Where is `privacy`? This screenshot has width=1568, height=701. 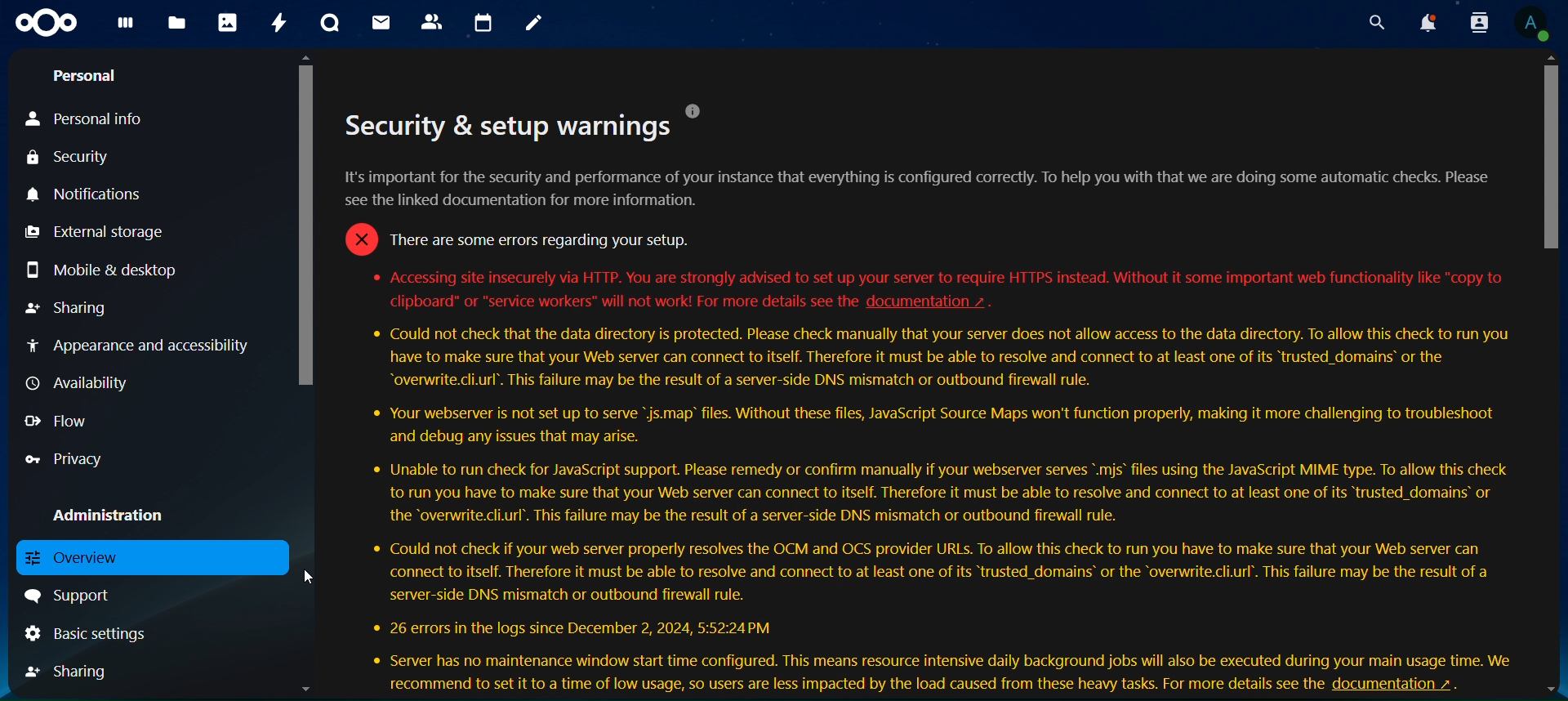 privacy is located at coordinates (64, 458).